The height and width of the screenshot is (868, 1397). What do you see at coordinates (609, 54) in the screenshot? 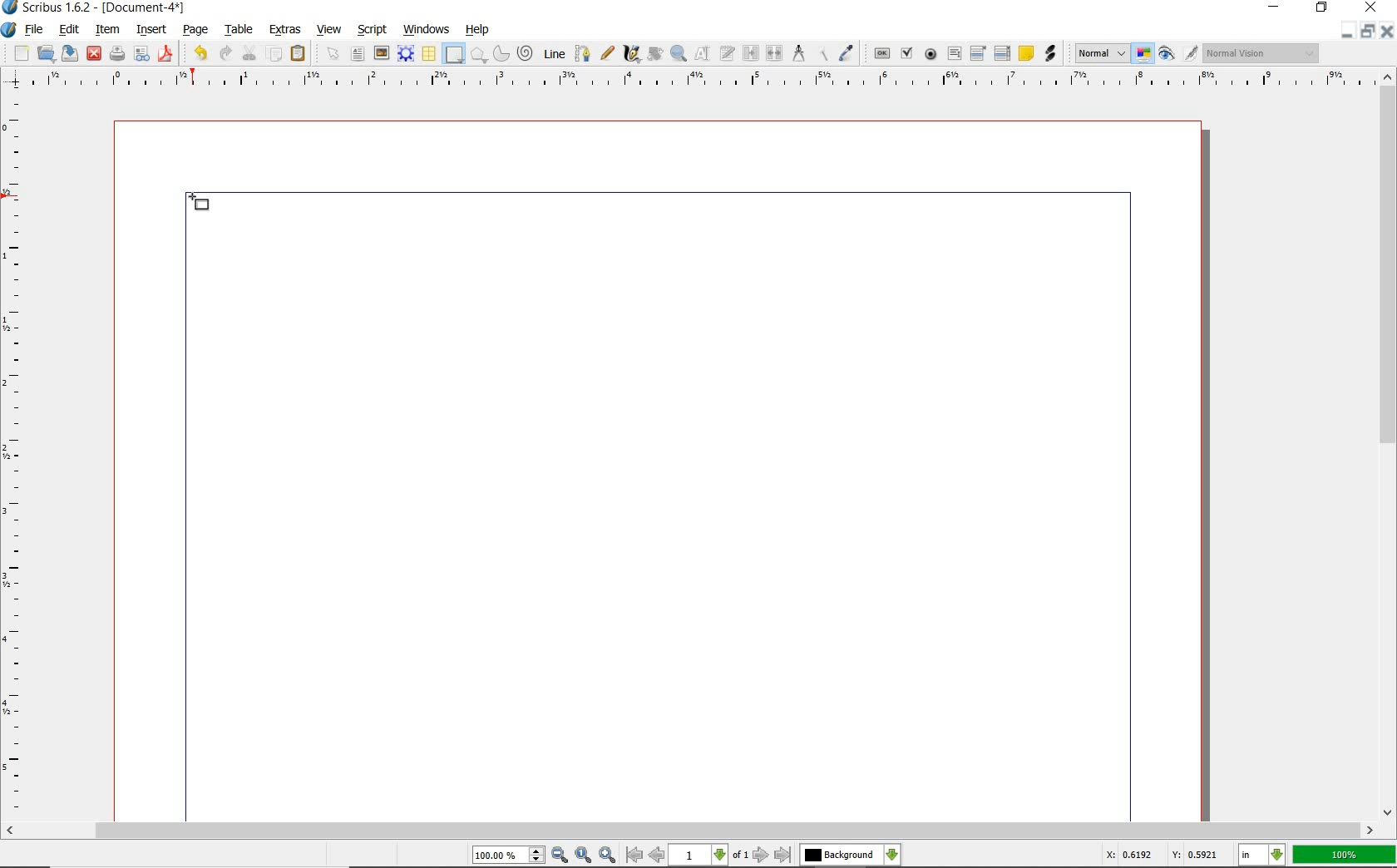
I see `freehand line` at bounding box center [609, 54].